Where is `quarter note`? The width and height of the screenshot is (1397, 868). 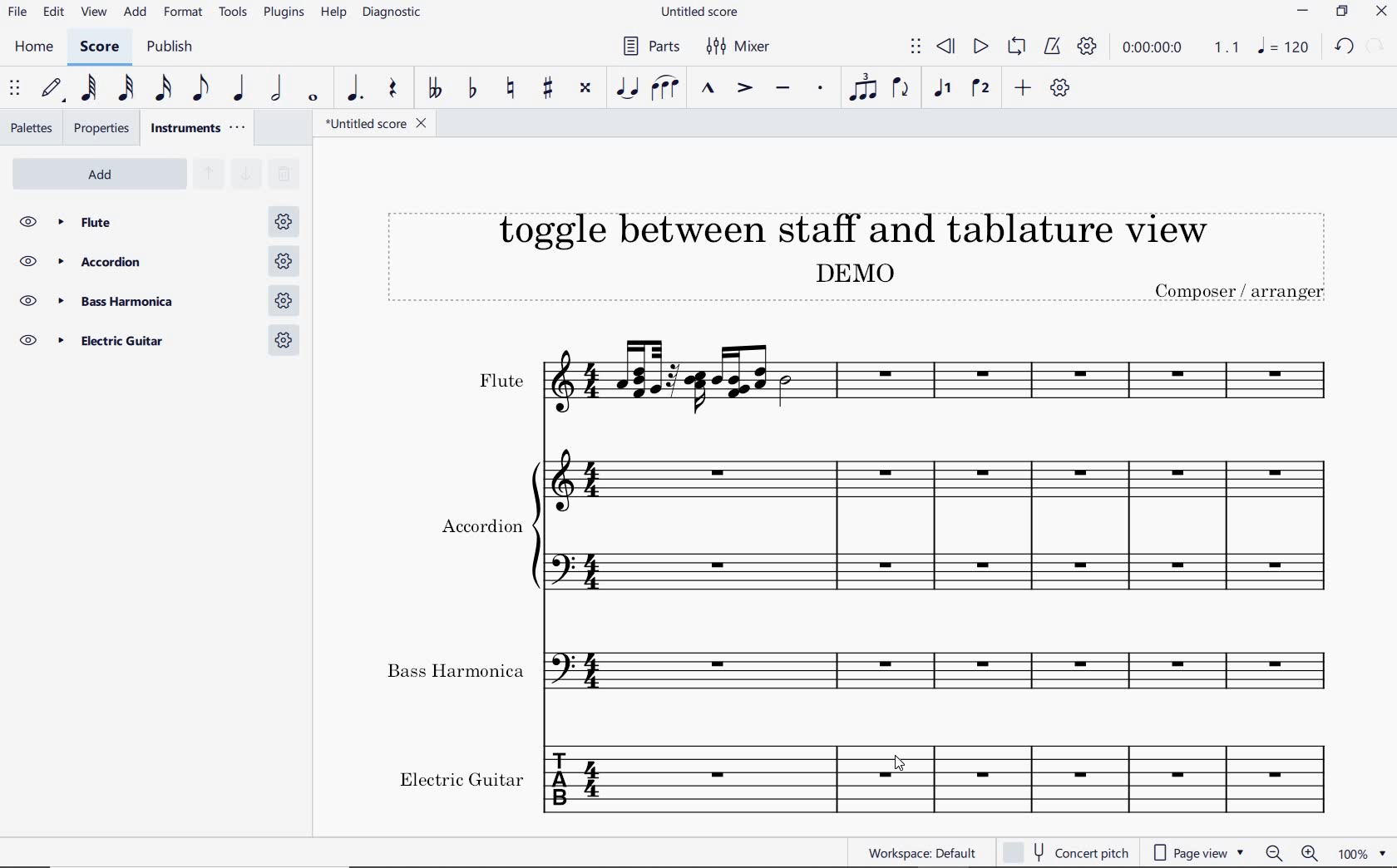
quarter note is located at coordinates (239, 89).